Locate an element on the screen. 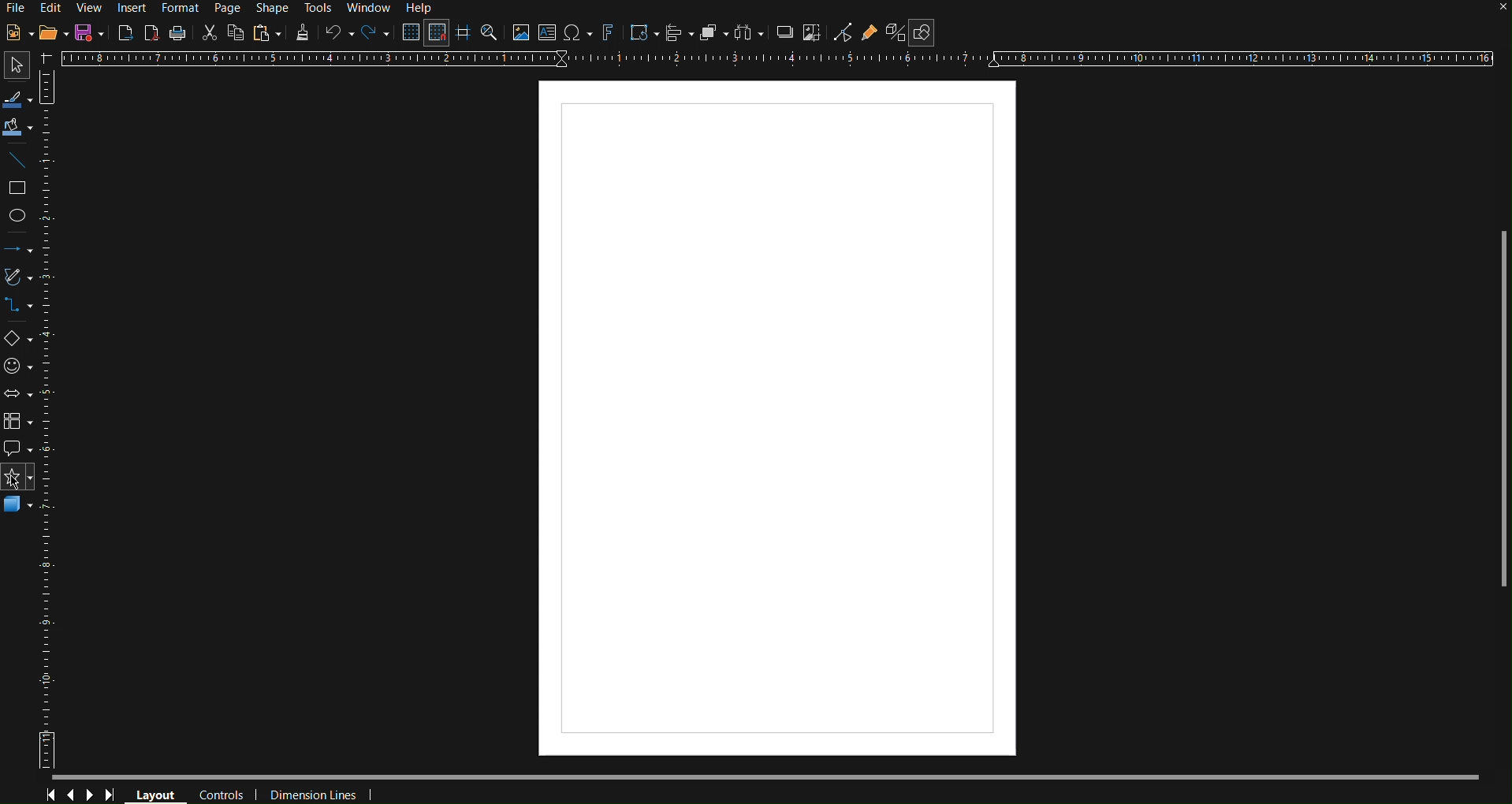 This screenshot has width=1512, height=804. Toggle Extrusion is located at coordinates (897, 32).